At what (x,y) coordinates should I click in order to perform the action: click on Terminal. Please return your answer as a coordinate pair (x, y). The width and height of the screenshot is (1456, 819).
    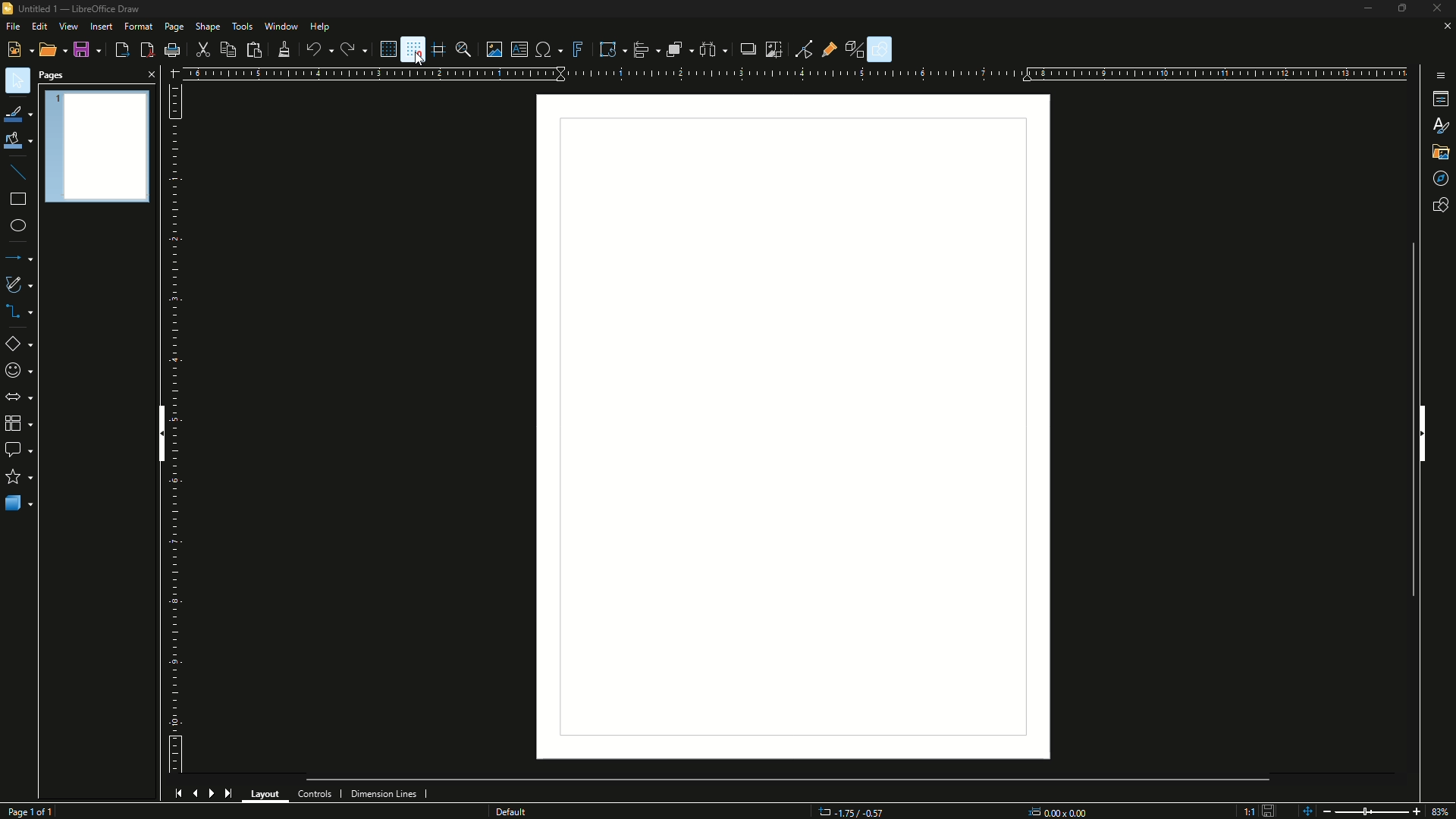
    Looking at the image, I should click on (1439, 99).